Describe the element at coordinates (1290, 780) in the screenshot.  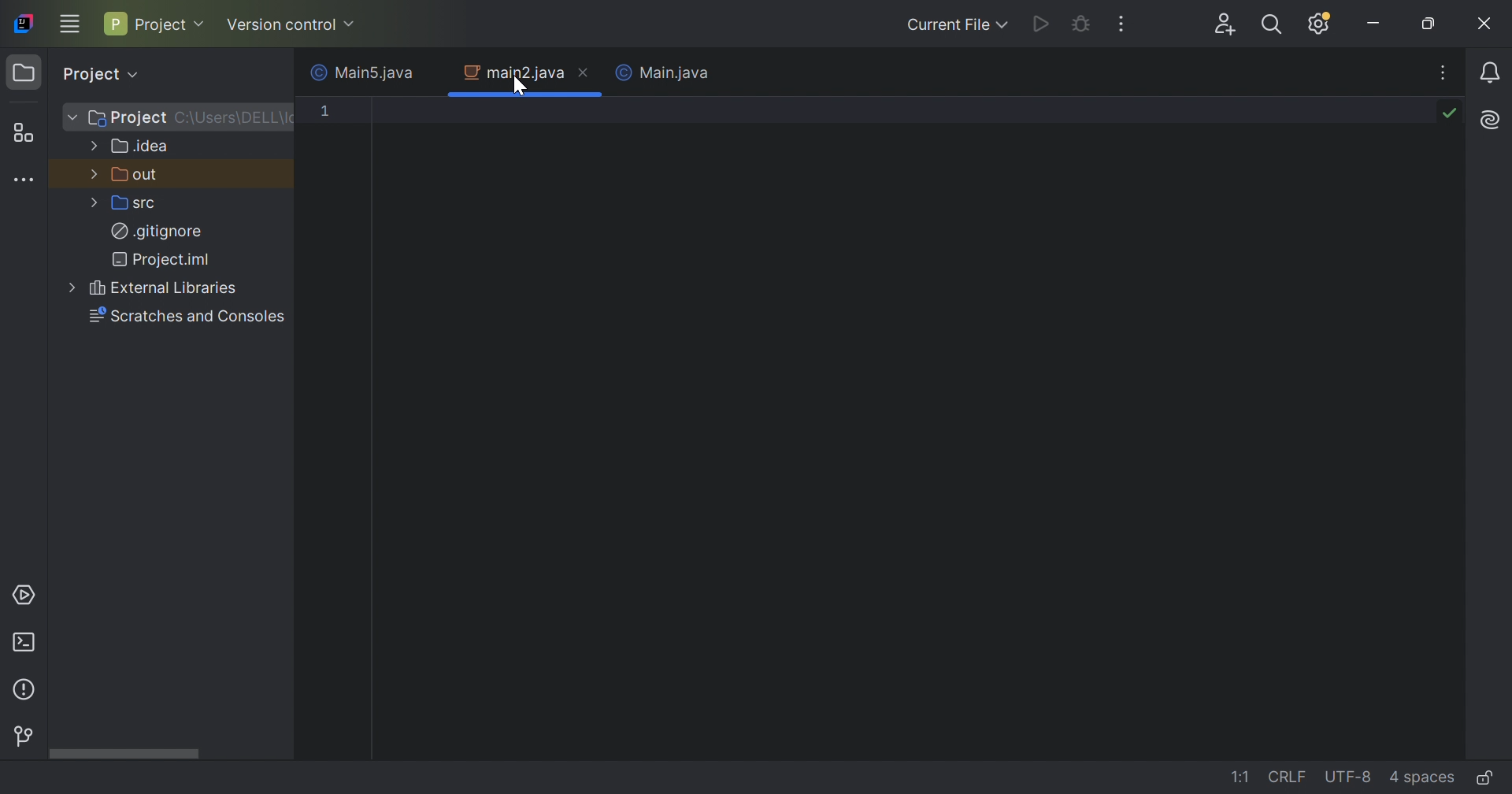
I see `CRLF` at that location.